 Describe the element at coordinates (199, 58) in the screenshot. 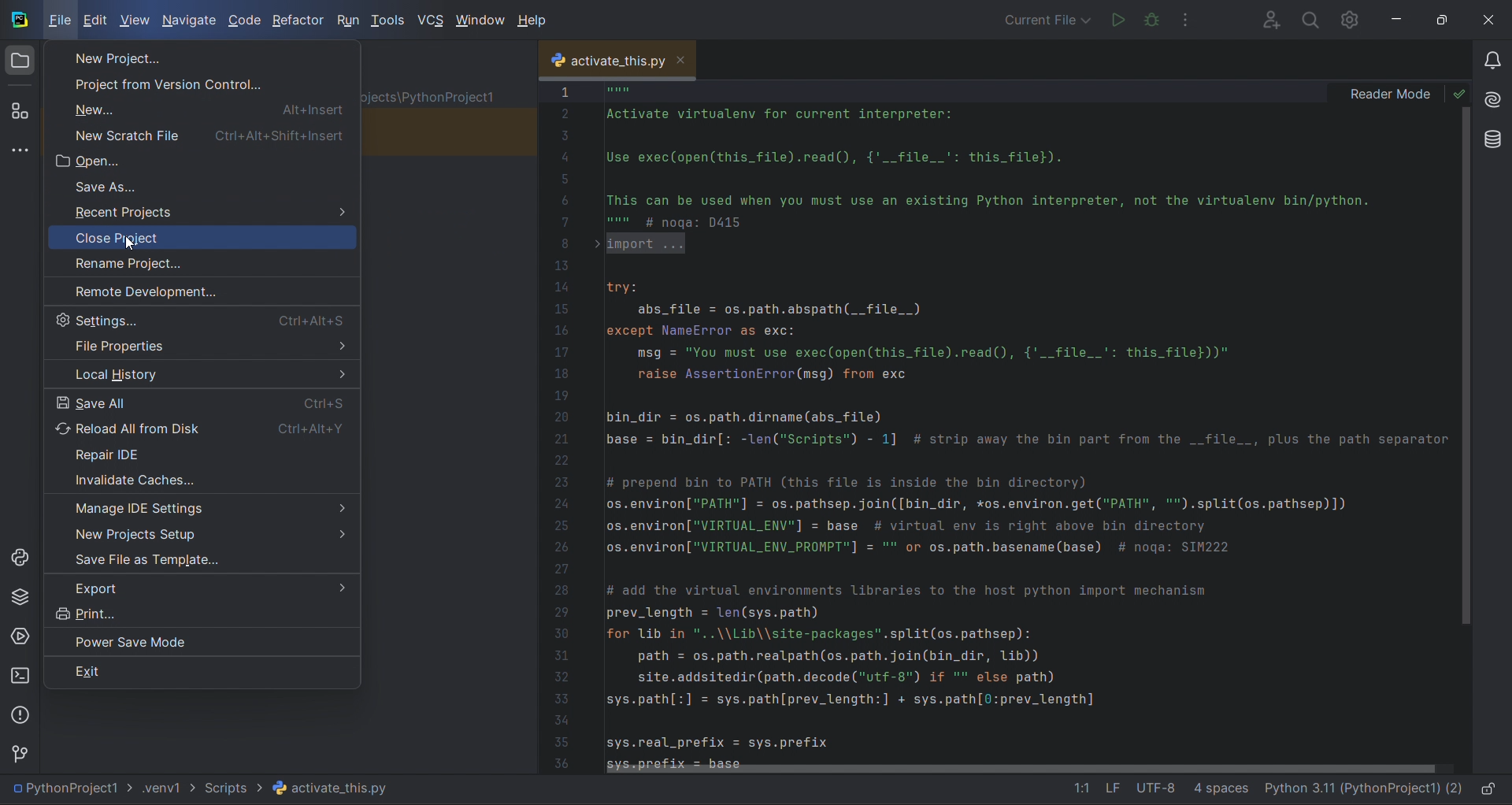

I see `new project` at that location.